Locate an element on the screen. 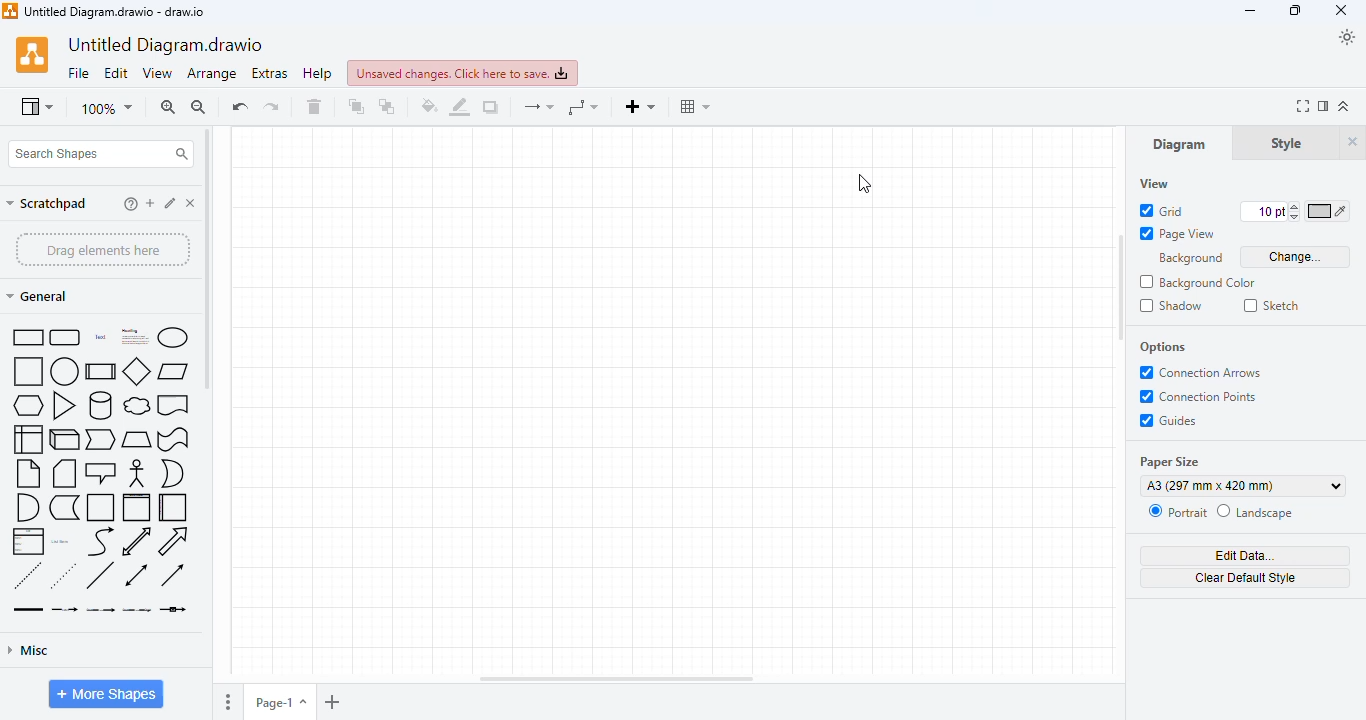 This screenshot has width=1366, height=720. connector with label is located at coordinates (64, 610).